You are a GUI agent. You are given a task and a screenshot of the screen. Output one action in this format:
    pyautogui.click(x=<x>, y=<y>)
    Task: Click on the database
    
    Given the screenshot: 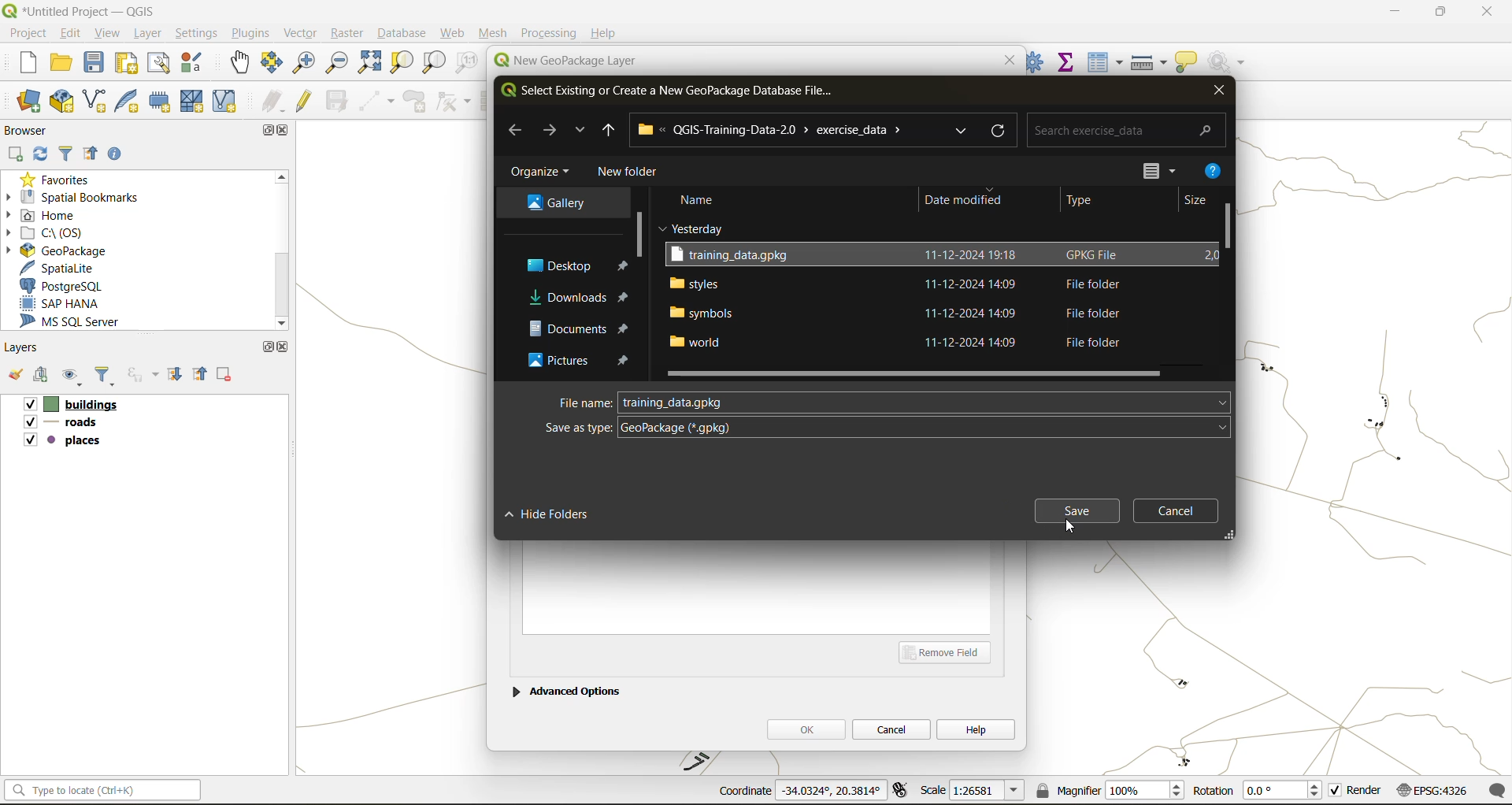 What is the action you would take?
    pyautogui.click(x=406, y=35)
    